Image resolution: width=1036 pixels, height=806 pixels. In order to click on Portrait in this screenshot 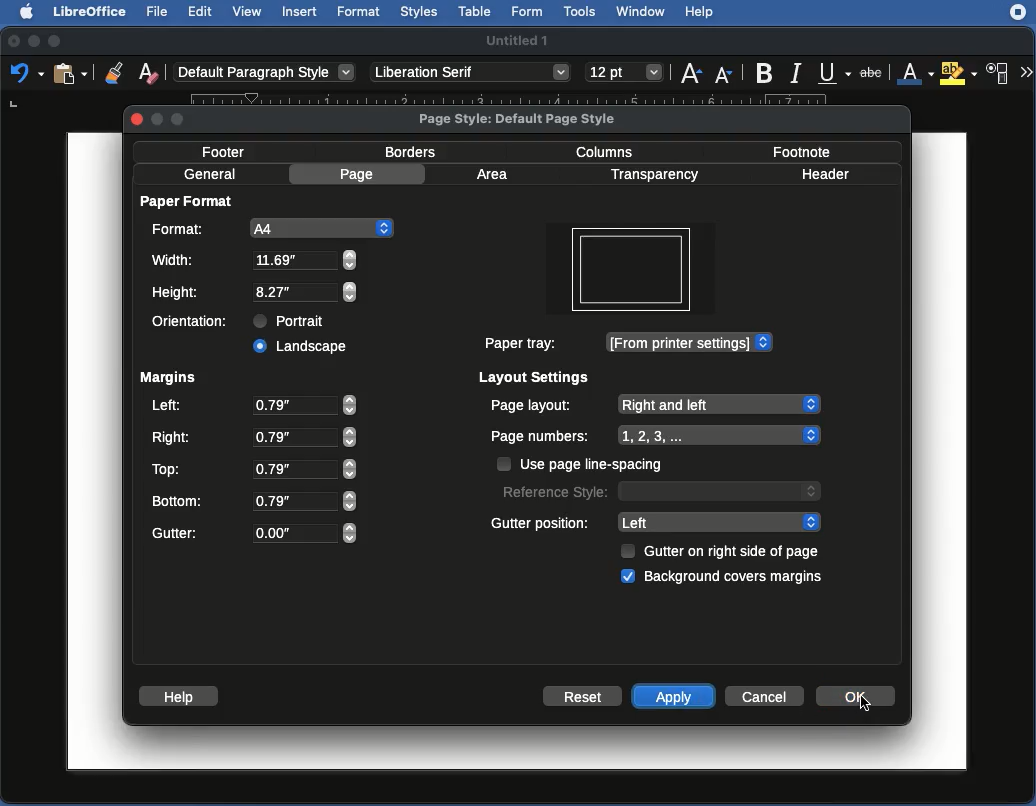, I will do `click(294, 318)`.